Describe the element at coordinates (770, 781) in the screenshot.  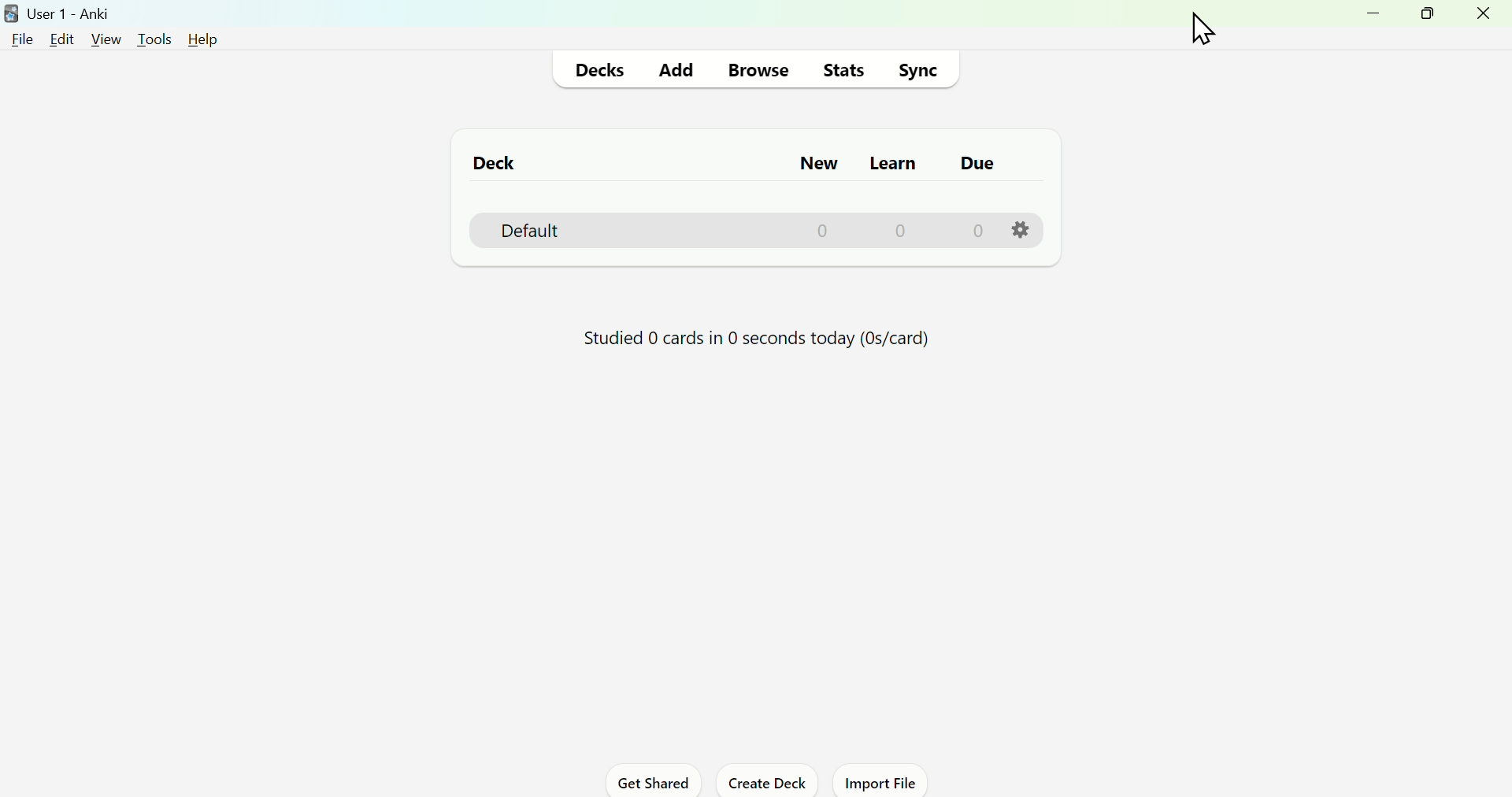
I see `Create` at that location.